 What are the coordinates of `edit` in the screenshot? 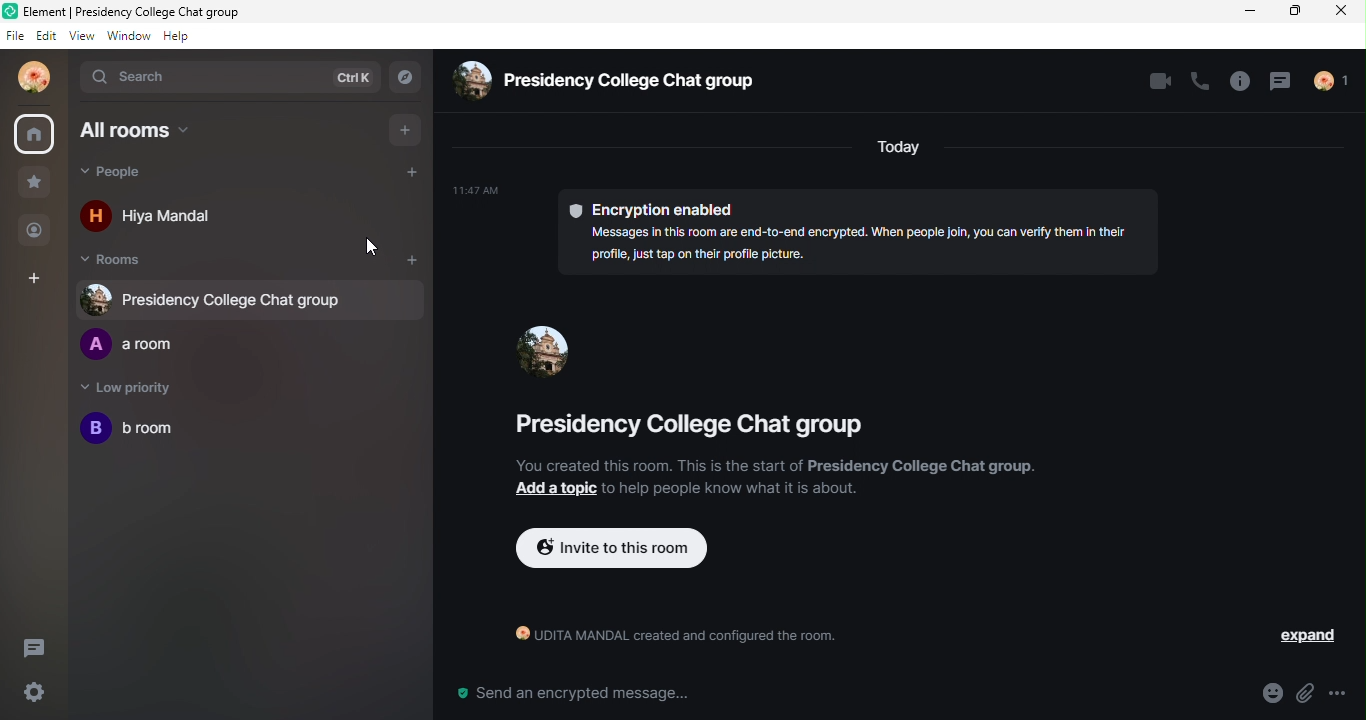 It's located at (44, 37).